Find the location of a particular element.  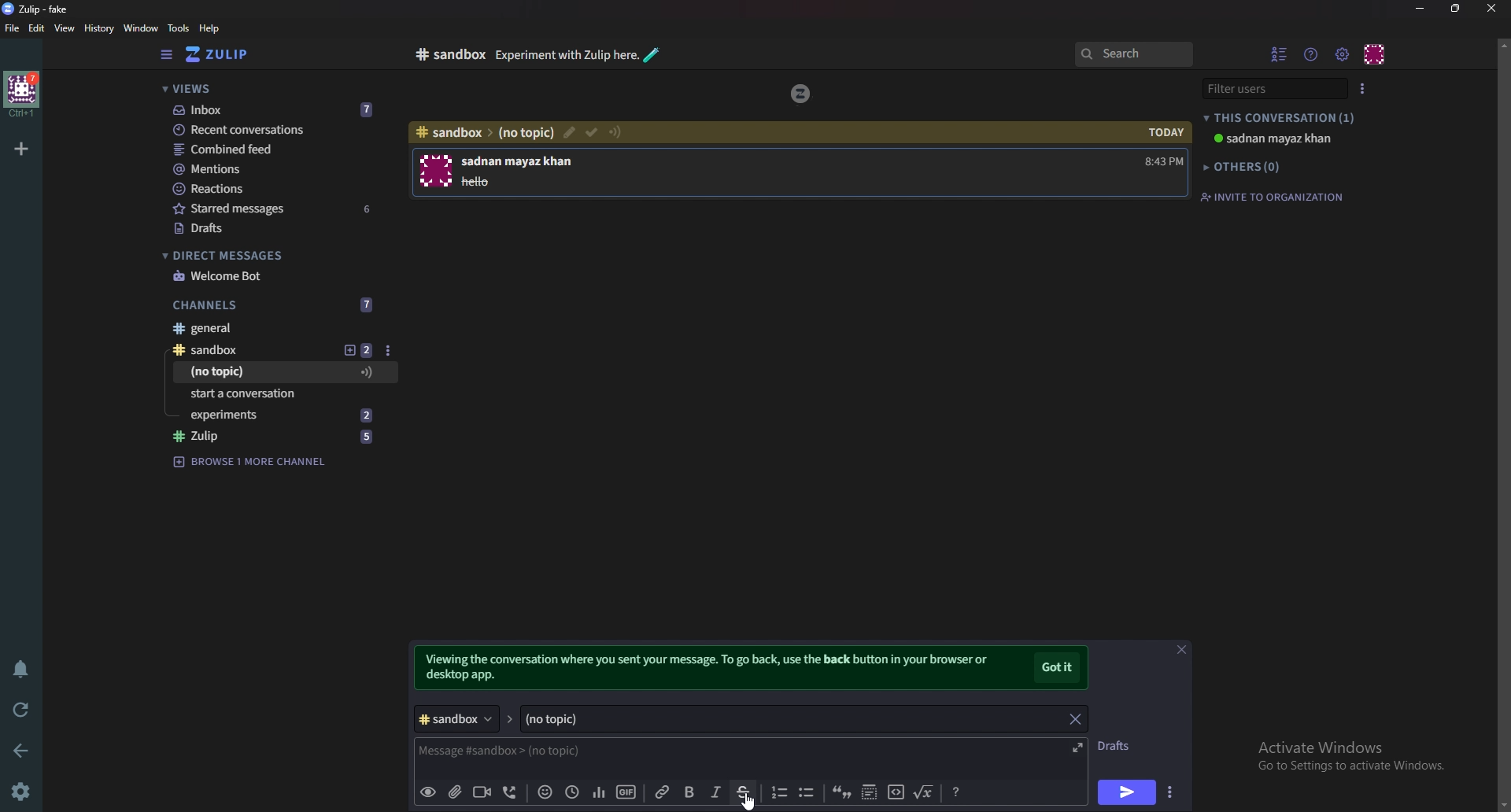

Strike through is located at coordinates (745, 793).